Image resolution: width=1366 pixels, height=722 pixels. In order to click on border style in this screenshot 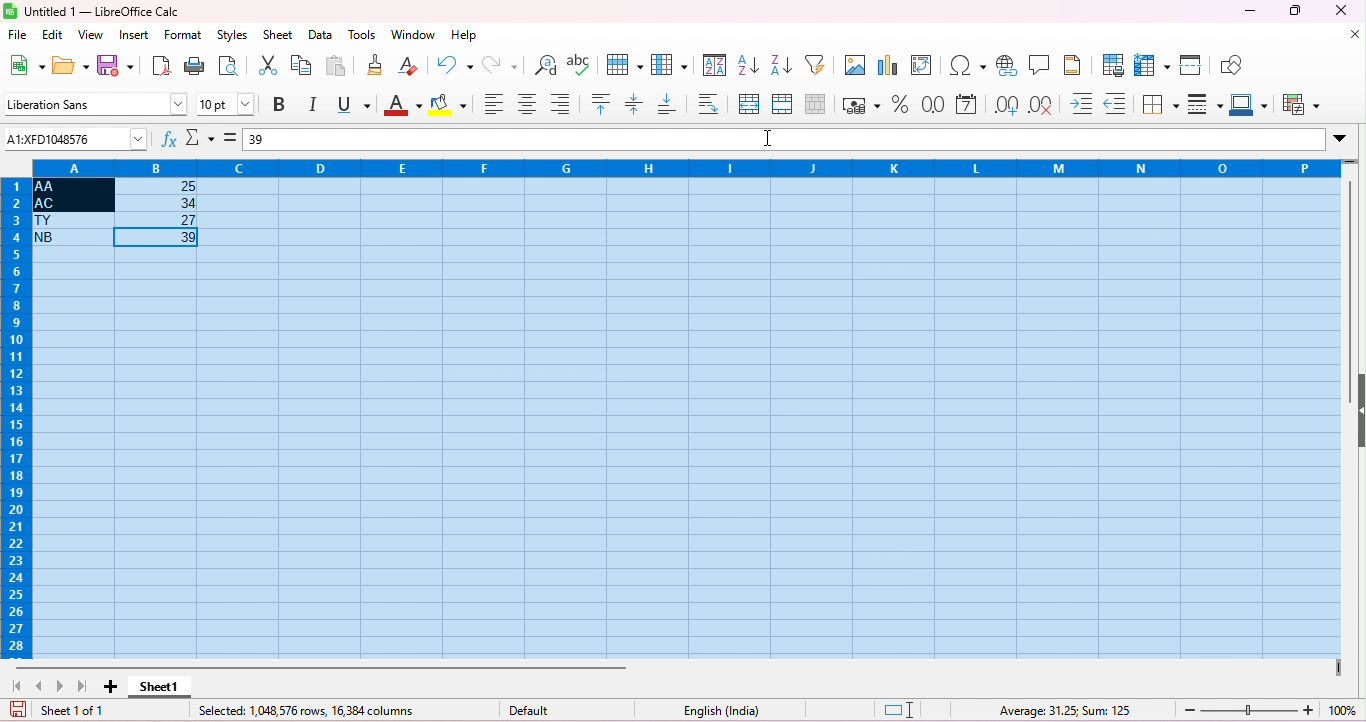, I will do `click(1206, 103)`.